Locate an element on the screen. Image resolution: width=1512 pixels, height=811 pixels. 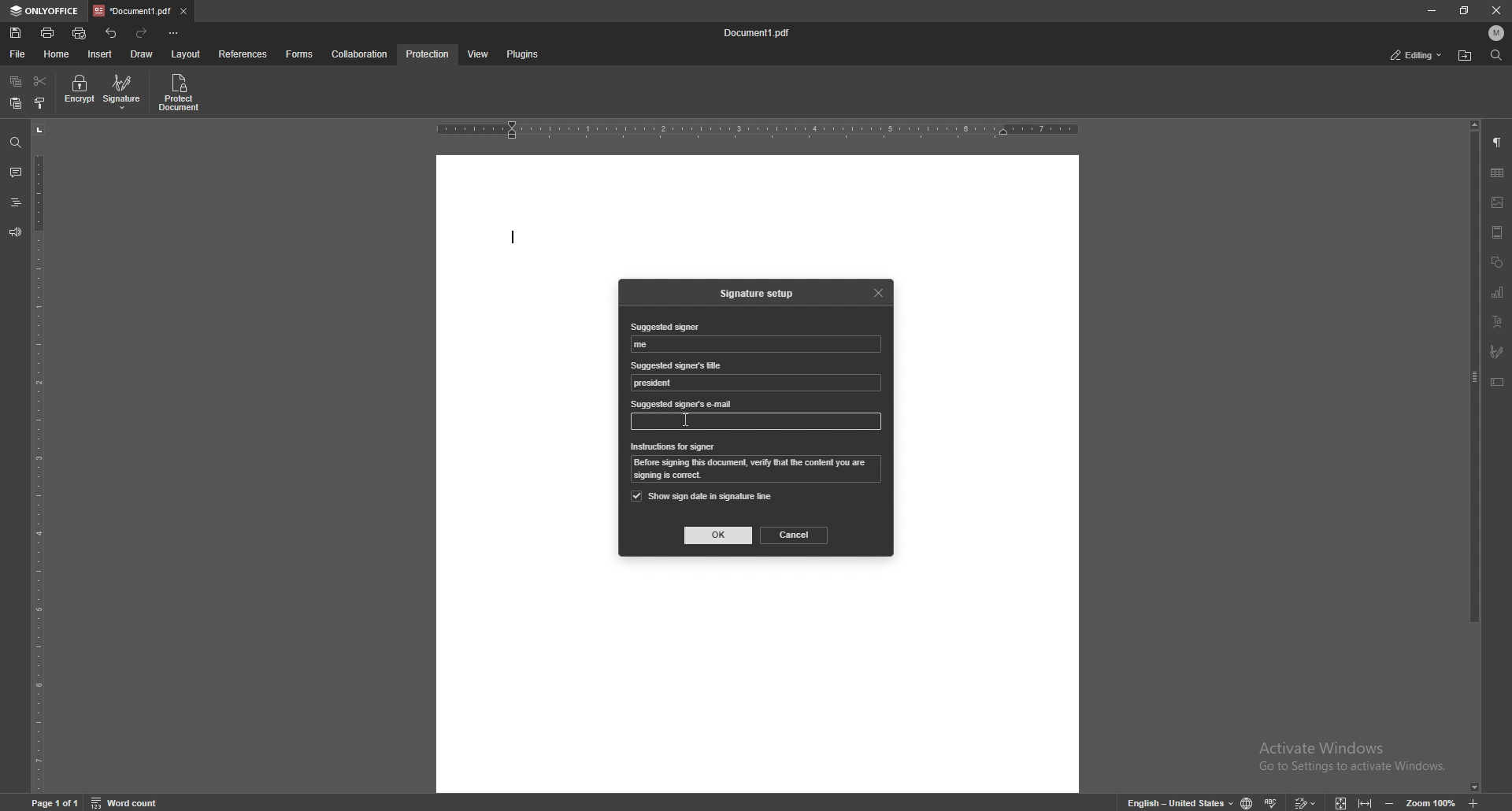
page is located at coordinates (57, 802).